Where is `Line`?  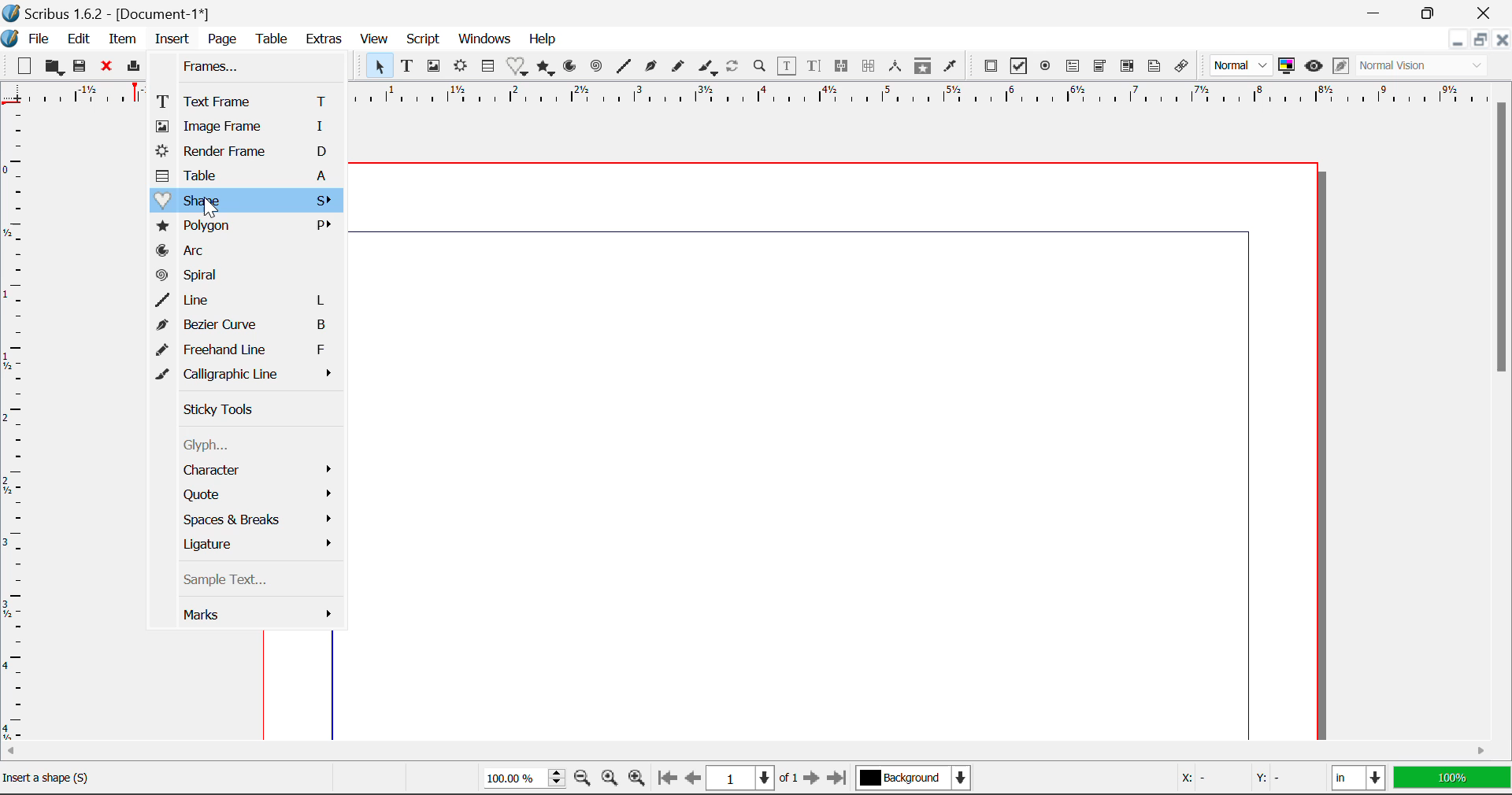
Line is located at coordinates (246, 301).